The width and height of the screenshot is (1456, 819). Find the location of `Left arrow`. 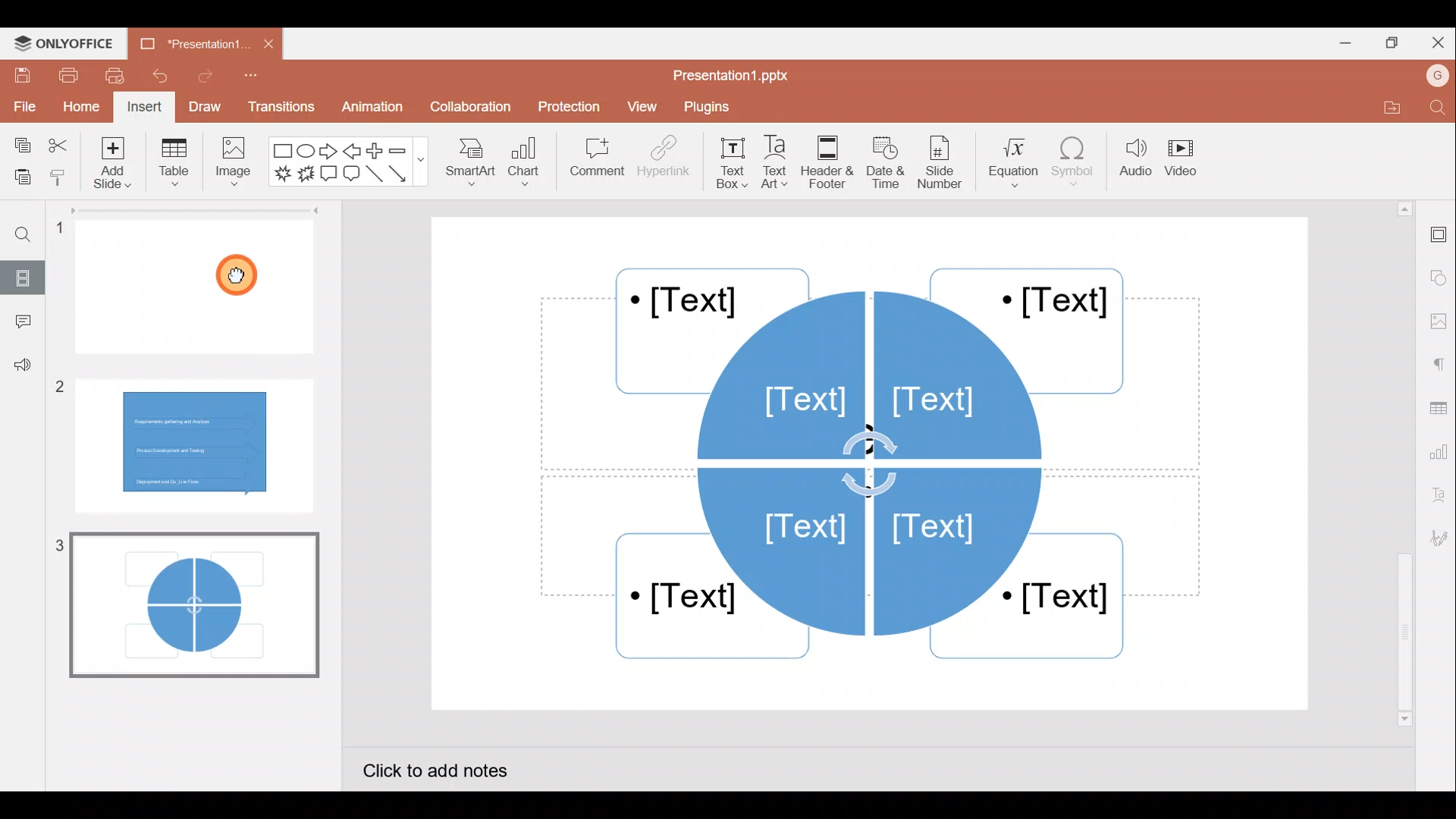

Left arrow is located at coordinates (351, 152).